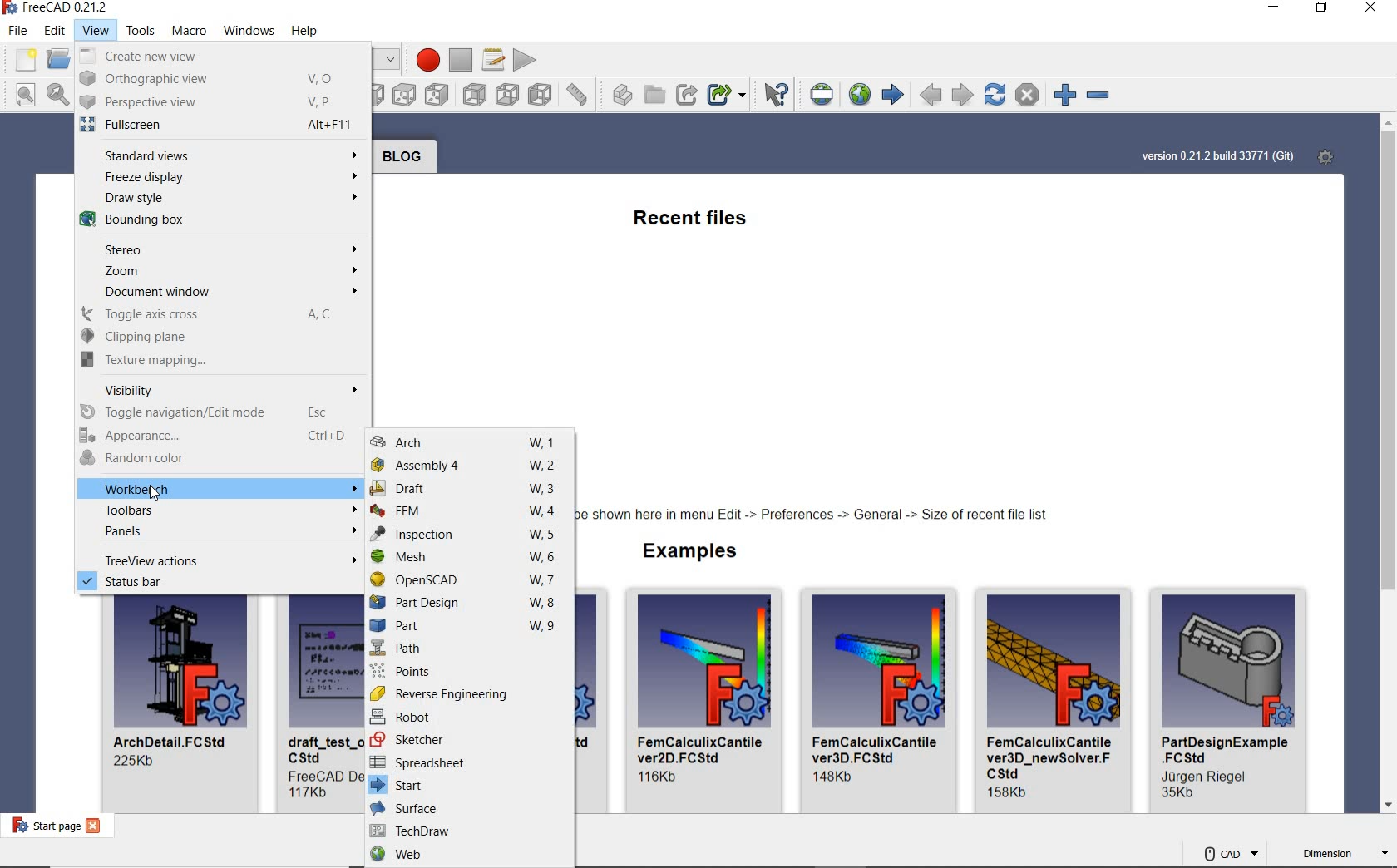  What do you see at coordinates (221, 272) in the screenshot?
I see `zoom` at bounding box center [221, 272].